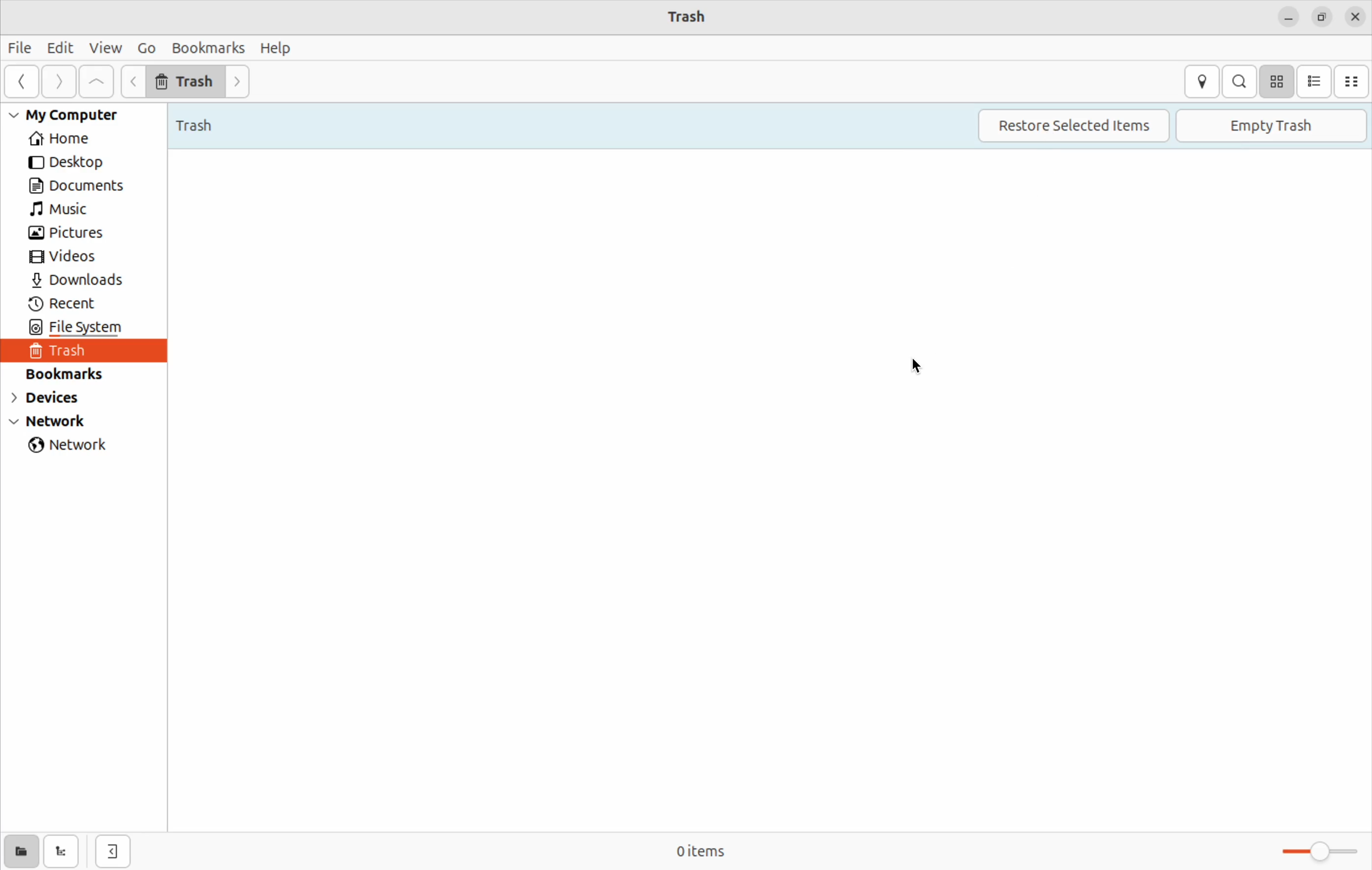  Describe the element at coordinates (99, 329) in the screenshot. I see `file system` at that location.